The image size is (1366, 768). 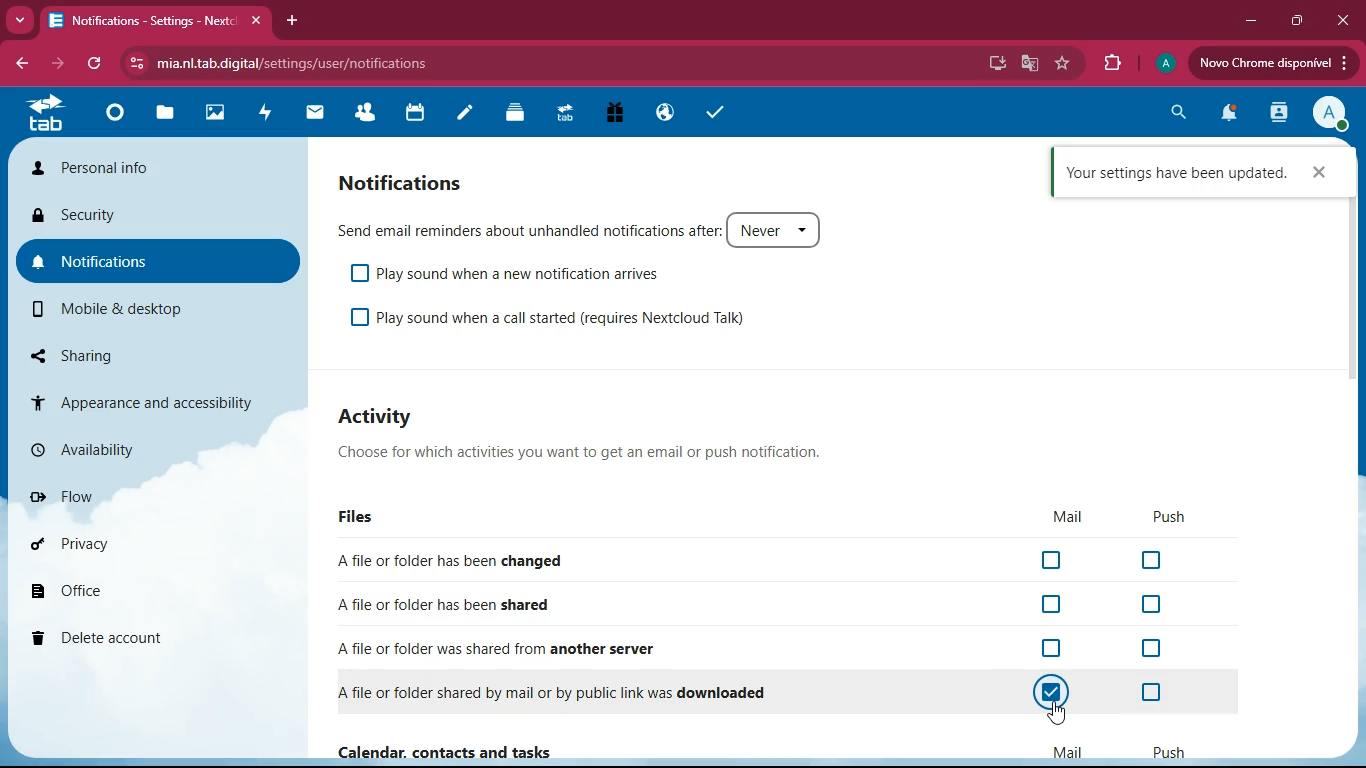 What do you see at coordinates (1062, 715) in the screenshot?
I see `pointing cursor` at bounding box center [1062, 715].